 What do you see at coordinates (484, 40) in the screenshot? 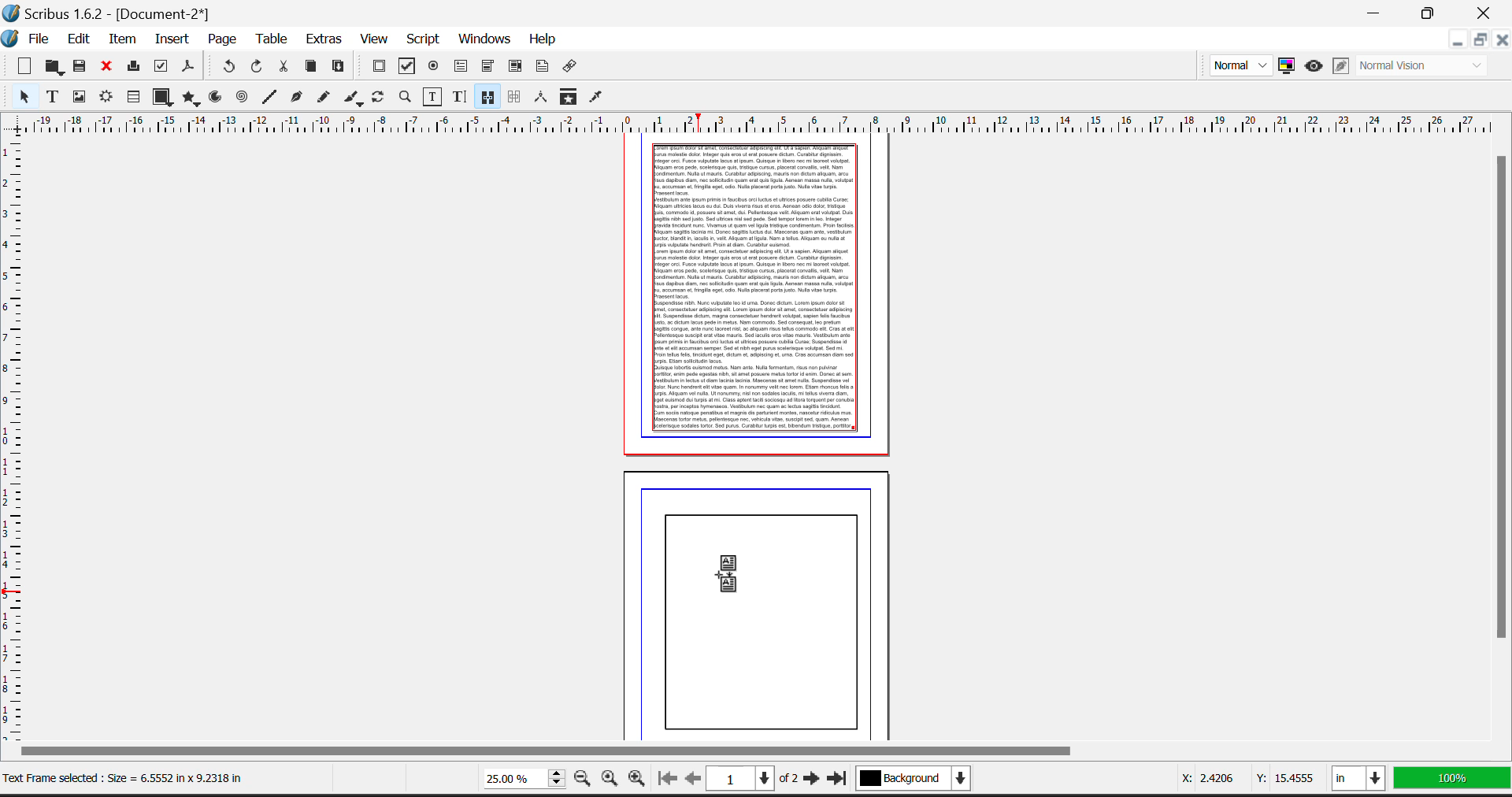
I see `Windows` at bounding box center [484, 40].